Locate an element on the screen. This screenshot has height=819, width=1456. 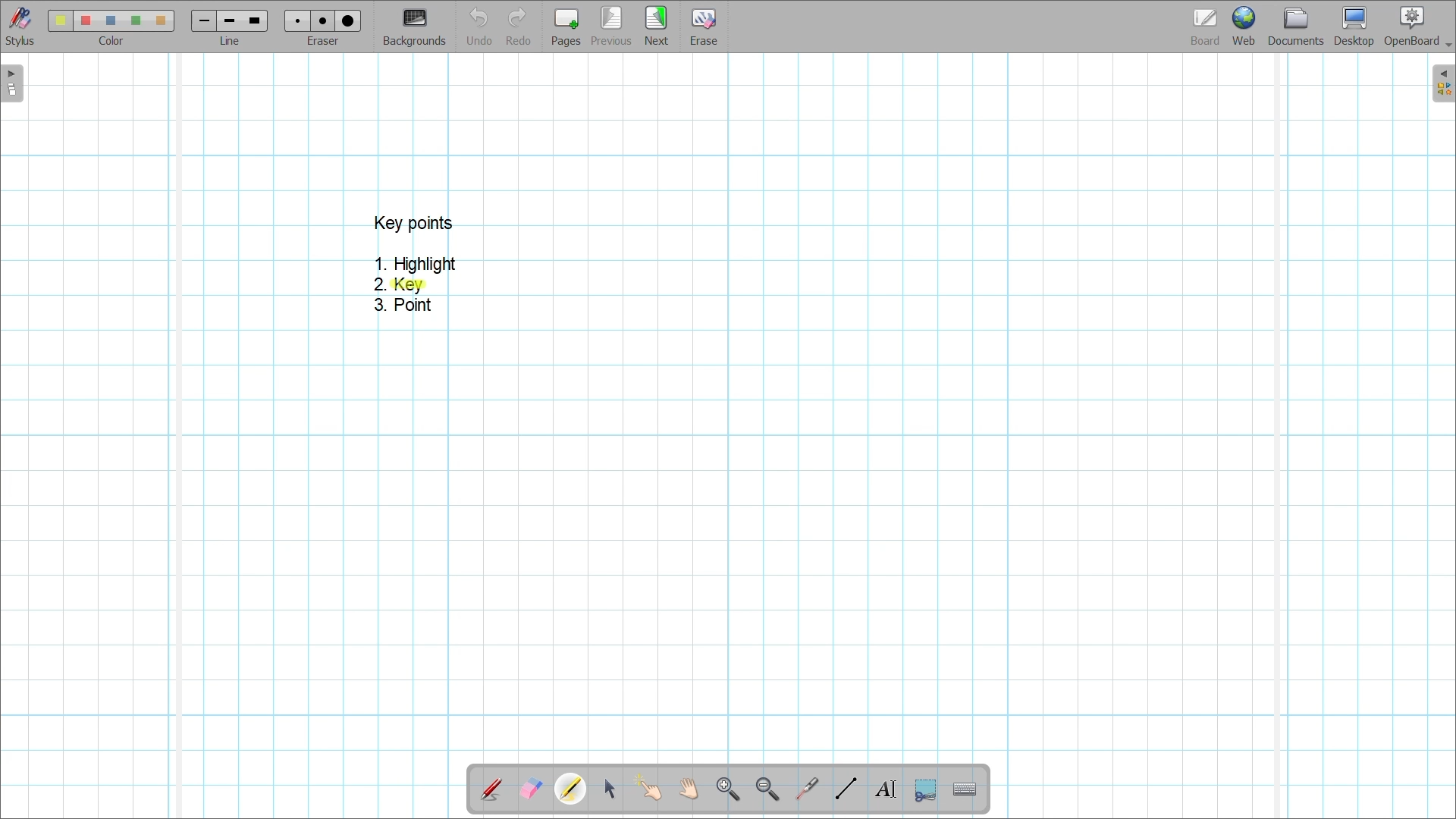
line 3 is located at coordinates (253, 20).